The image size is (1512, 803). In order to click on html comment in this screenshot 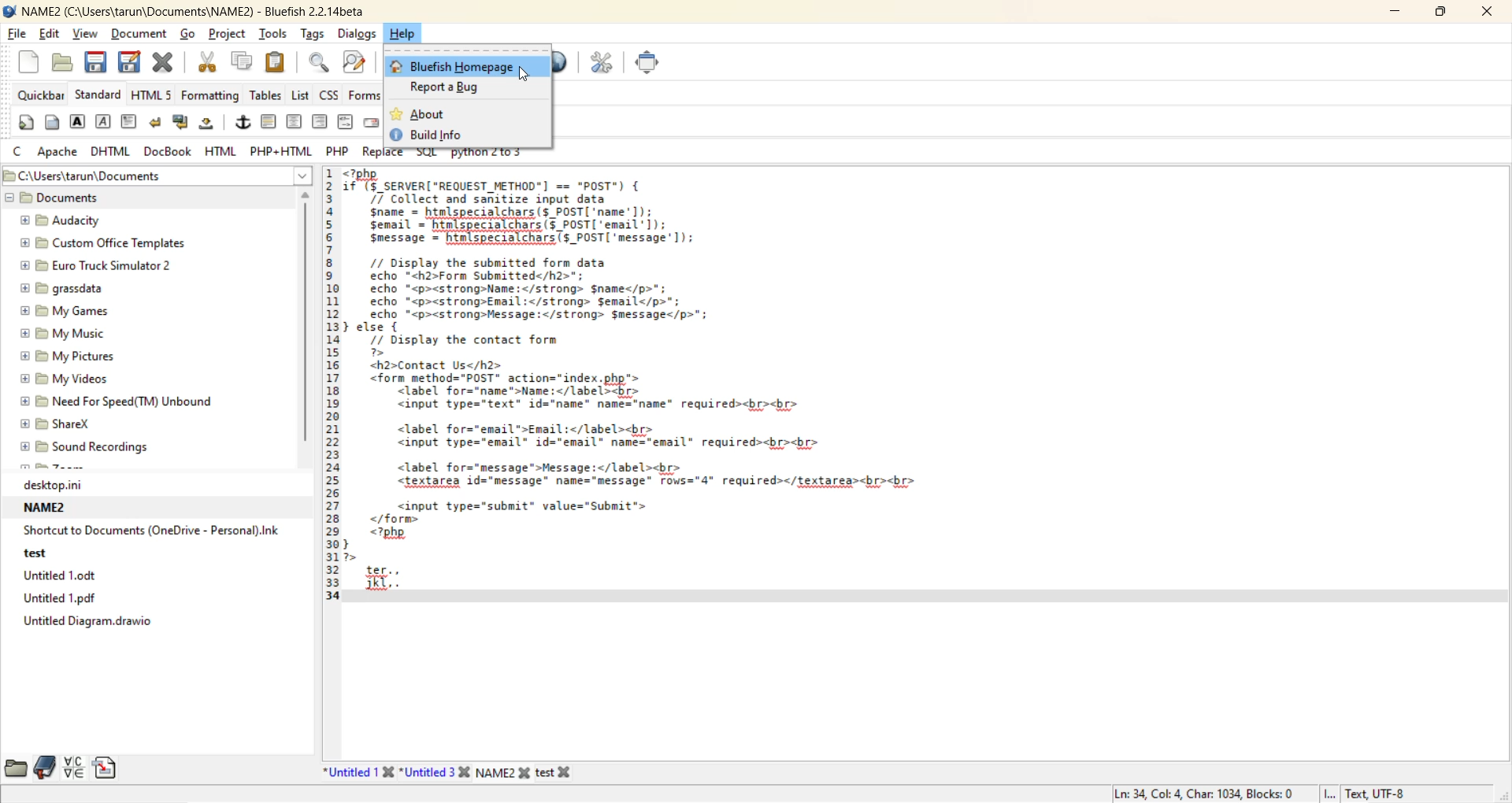, I will do `click(345, 122)`.